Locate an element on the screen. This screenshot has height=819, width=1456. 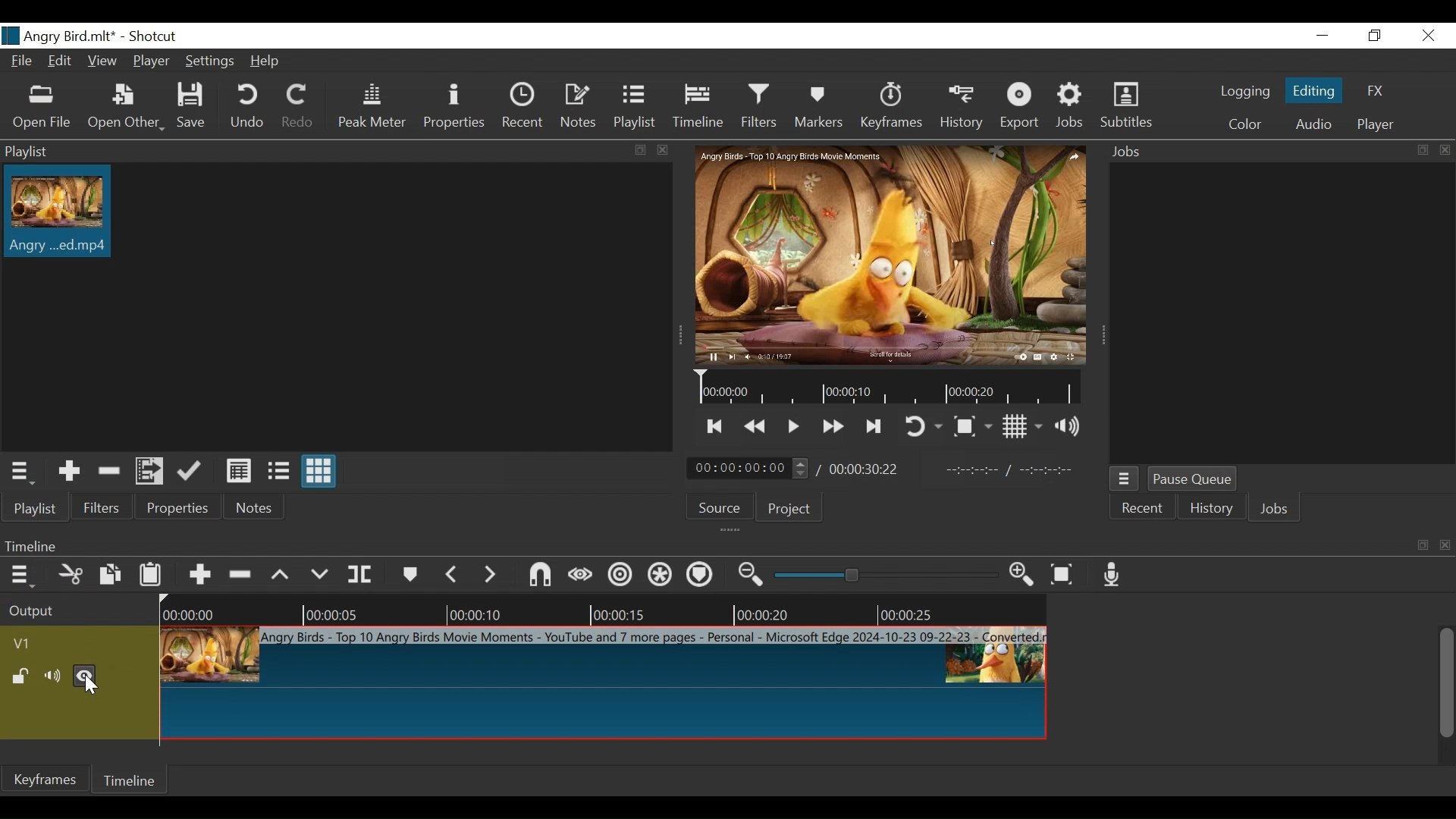
View as files is located at coordinates (277, 470).